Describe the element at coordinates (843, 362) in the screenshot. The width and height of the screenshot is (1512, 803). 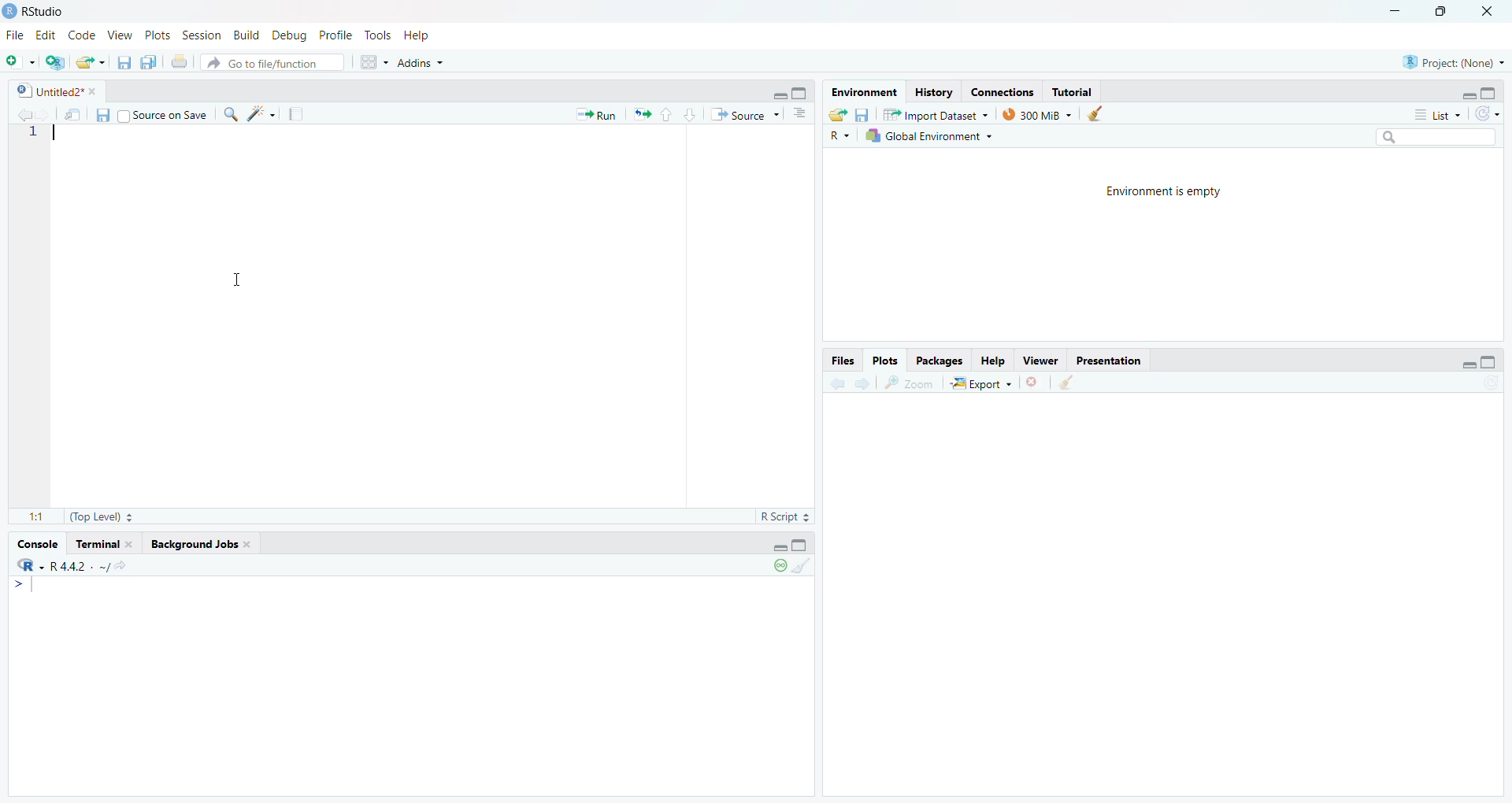
I see `Files` at that location.